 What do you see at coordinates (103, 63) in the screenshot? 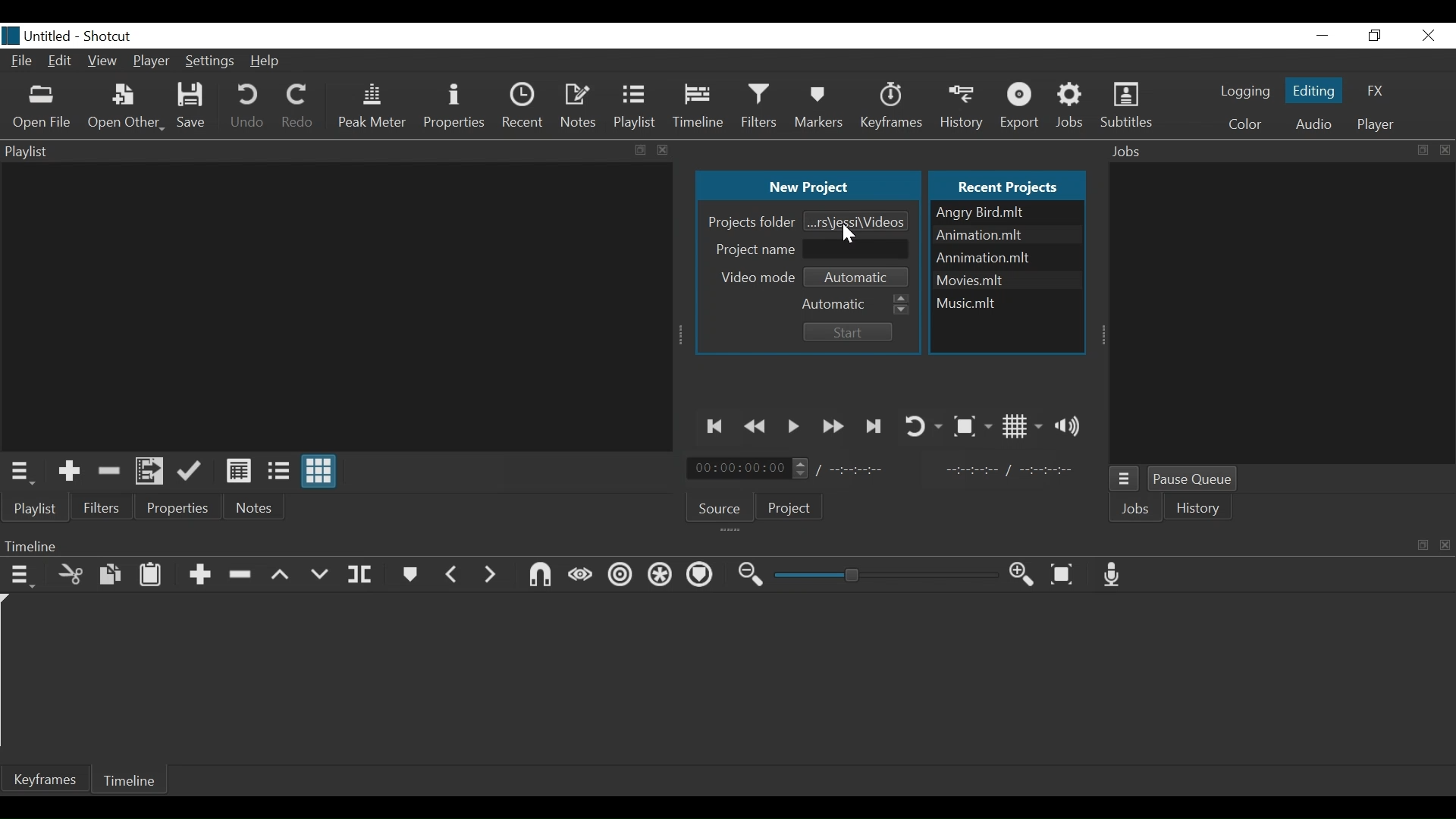
I see `View` at bounding box center [103, 63].